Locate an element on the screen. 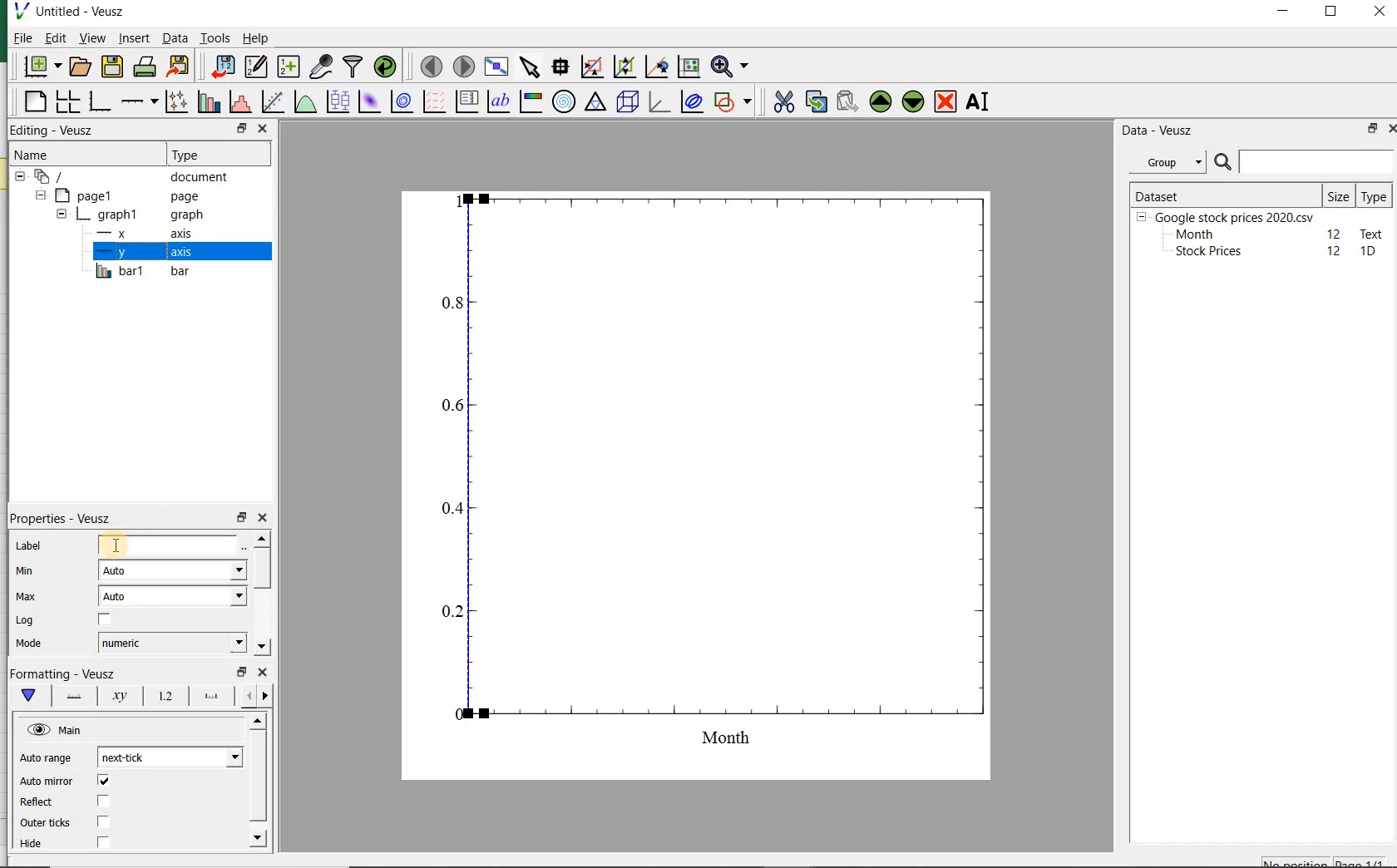  plot a 2d dataset as an image is located at coordinates (368, 101).